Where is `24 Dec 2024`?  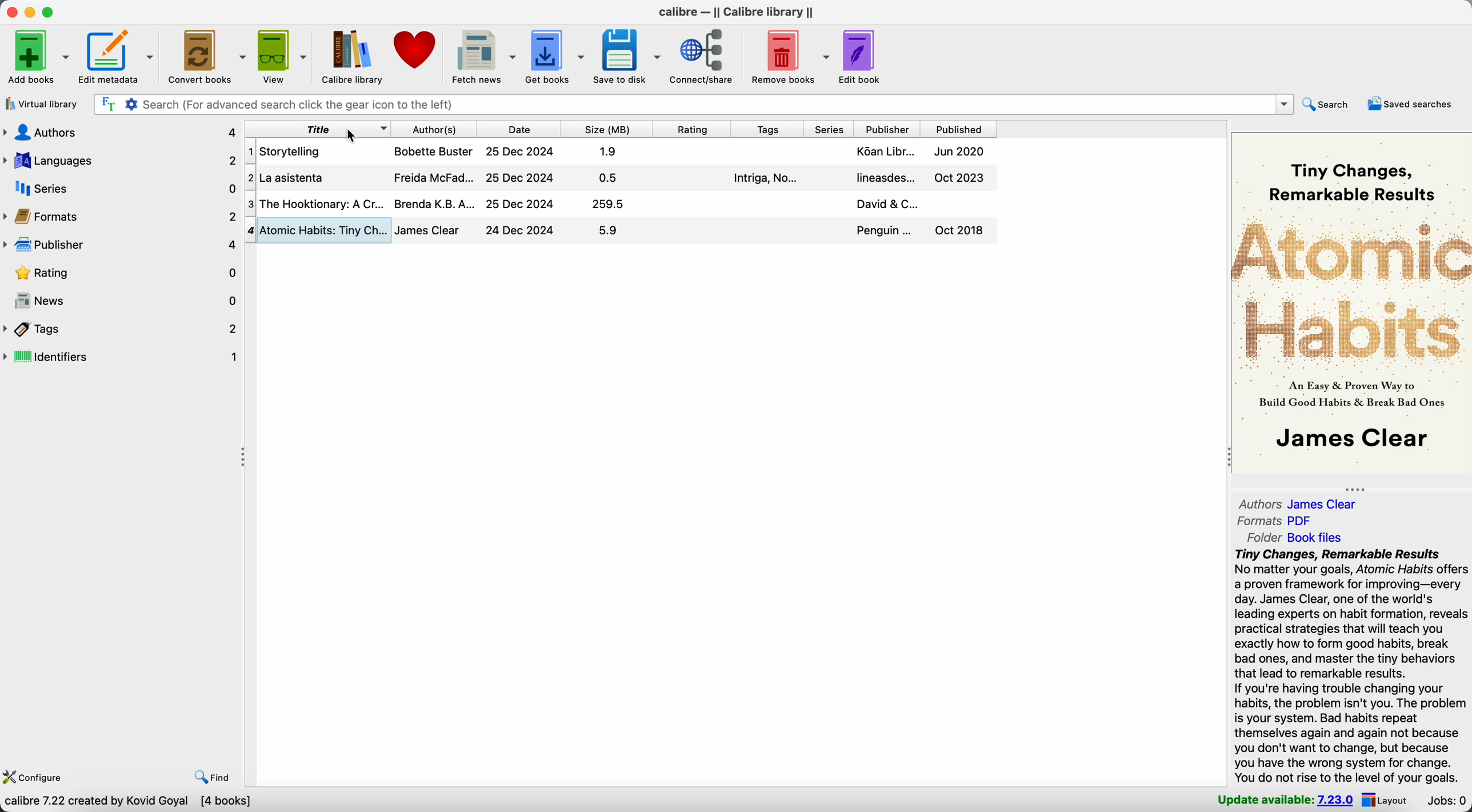 24 Dec 2024 is located at coordinates (520, 229).